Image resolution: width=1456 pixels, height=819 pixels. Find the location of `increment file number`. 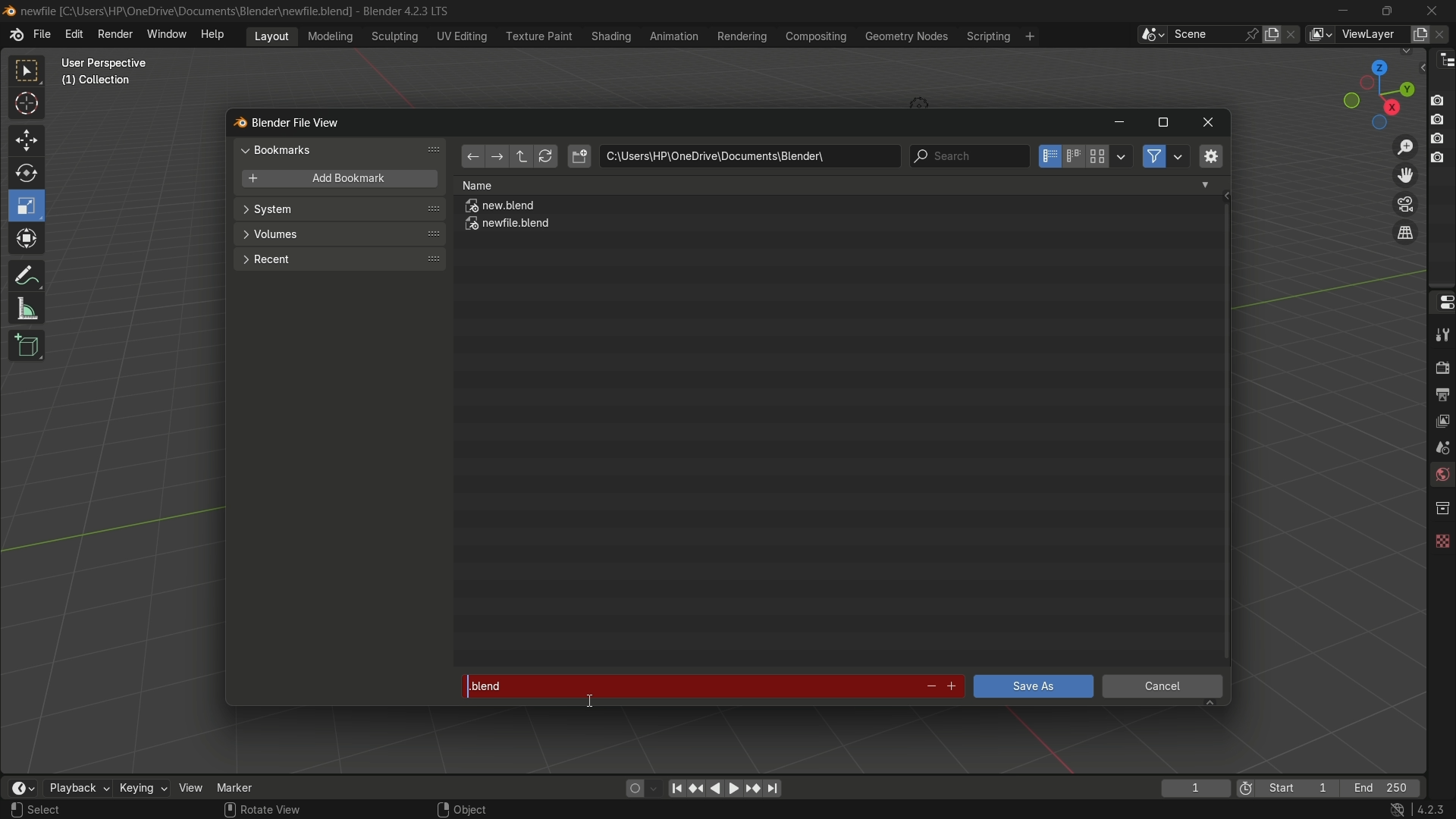

increment file number is located at coordinates (952, 687).